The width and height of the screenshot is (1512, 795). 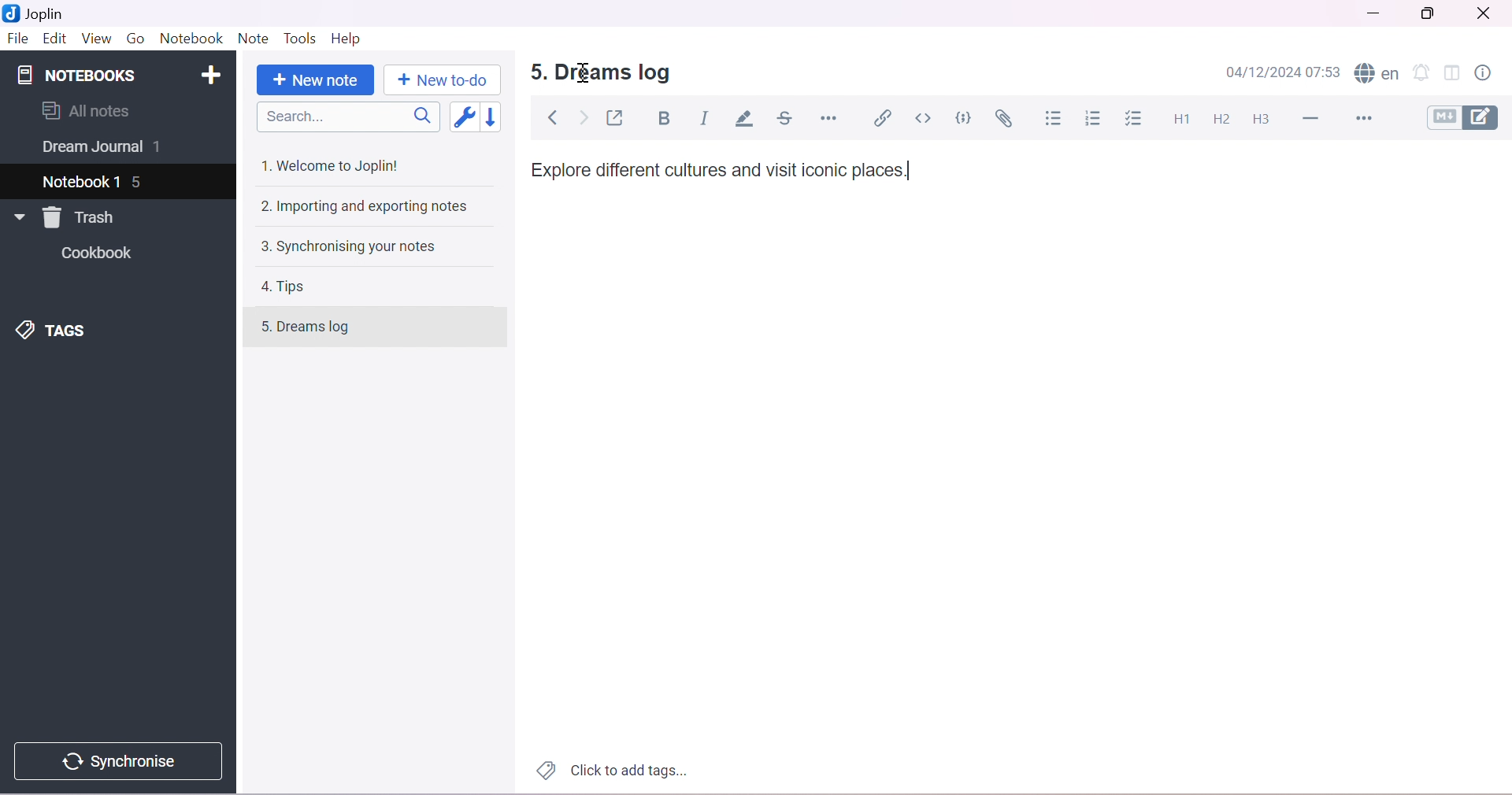 I want to click on Heading 1, so click(x=1184, y=118).